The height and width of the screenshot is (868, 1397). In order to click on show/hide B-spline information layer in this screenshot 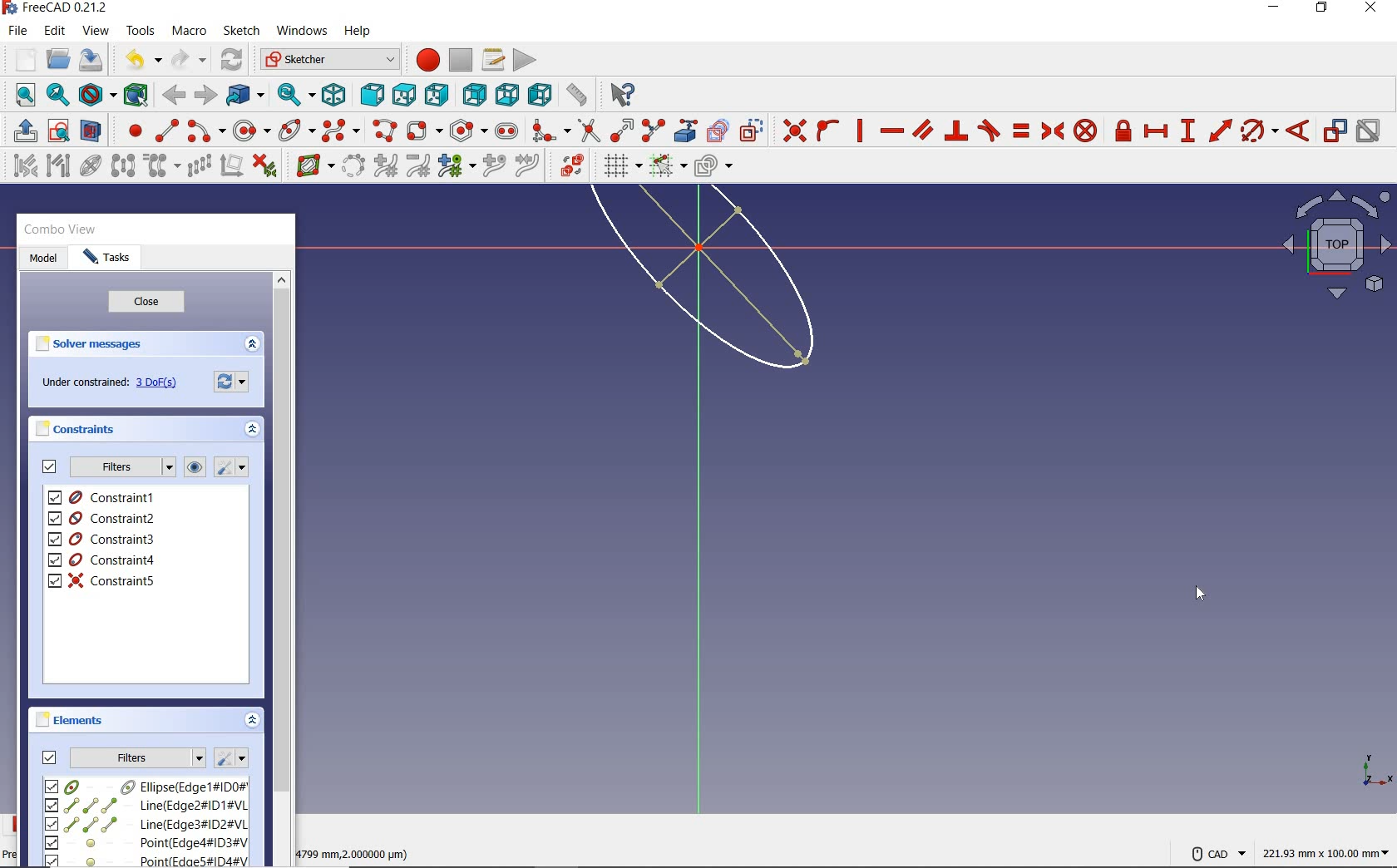, I will do `click(311, 165)`.